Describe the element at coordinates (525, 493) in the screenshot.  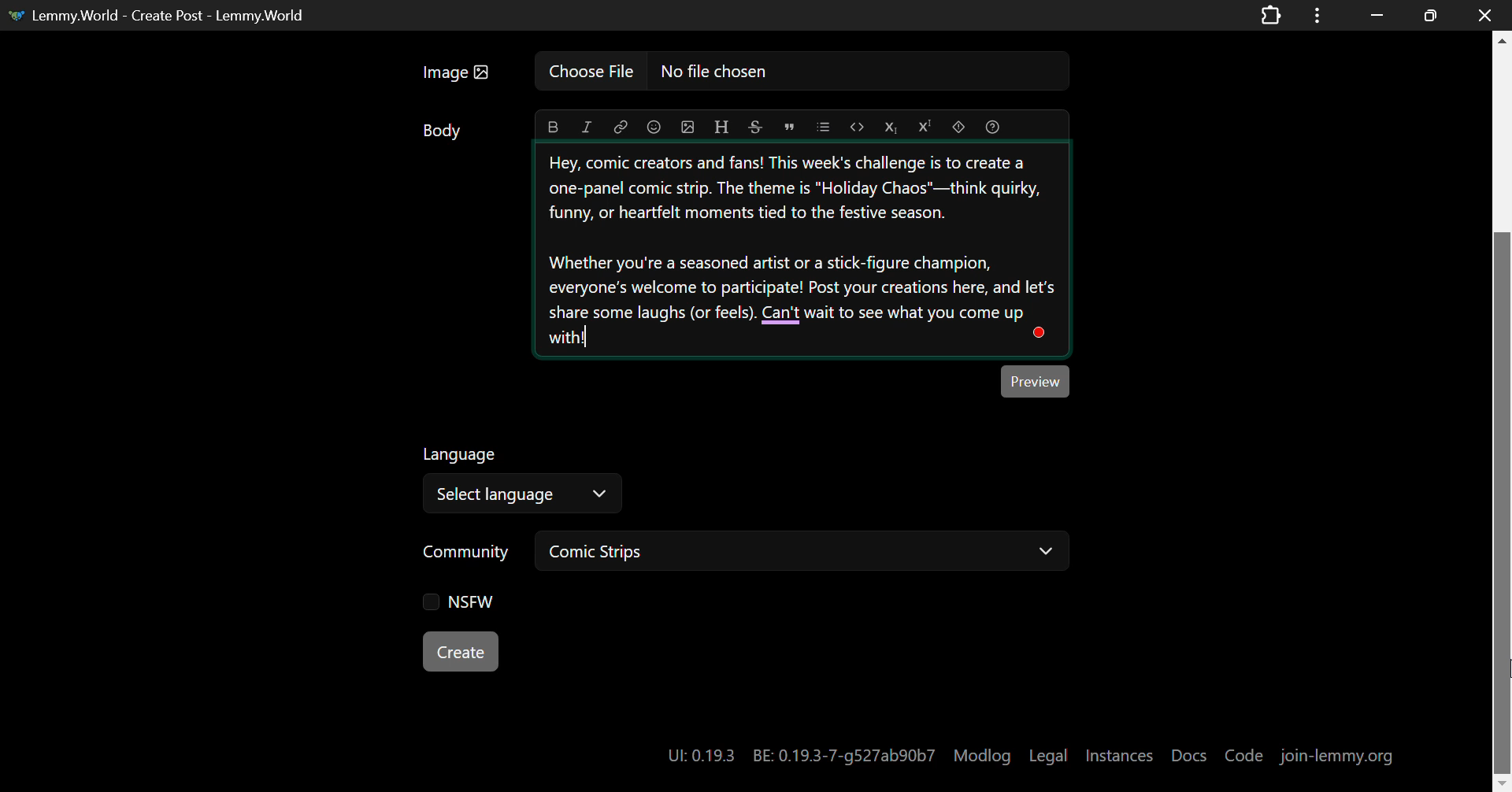
I see `Select Language` at that location.